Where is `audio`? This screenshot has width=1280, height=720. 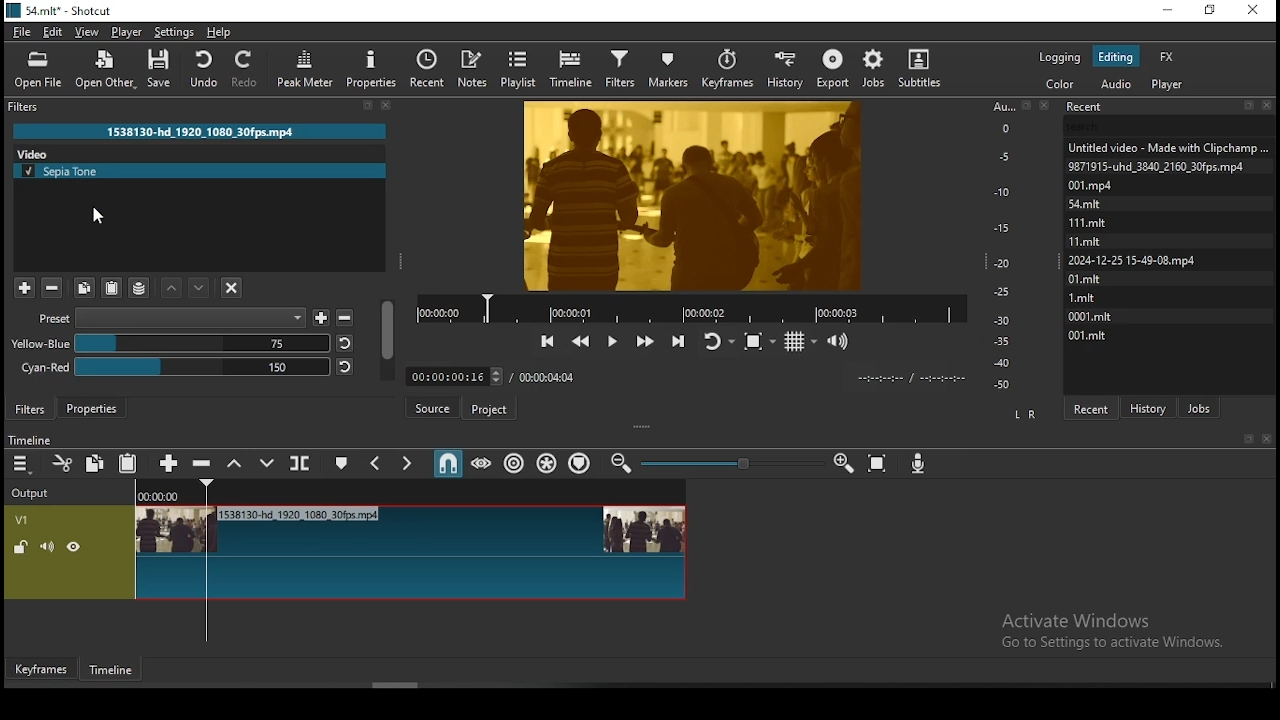
audio is located at coordinates (1116, 84).